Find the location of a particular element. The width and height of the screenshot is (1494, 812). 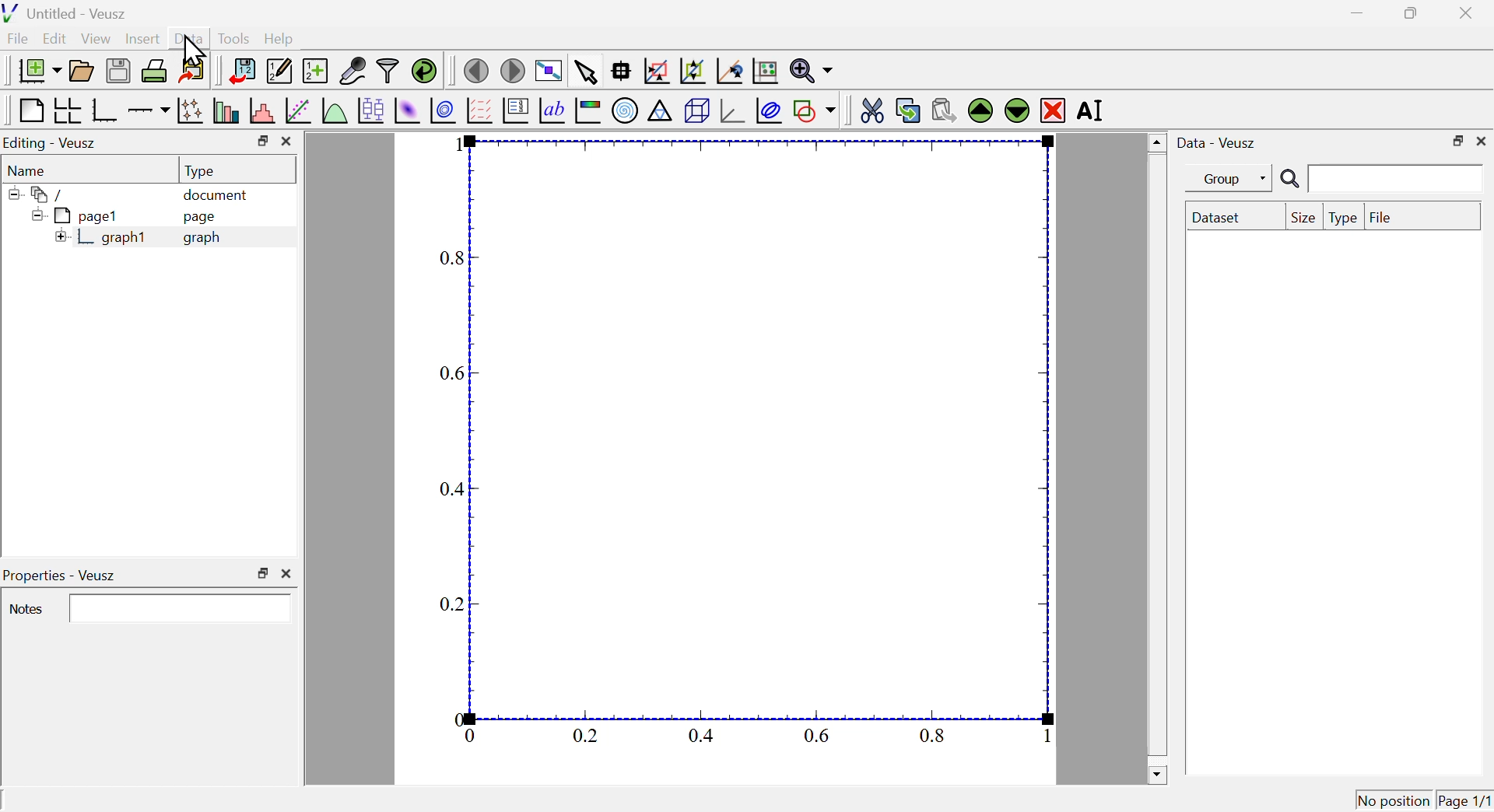

plot bar charts is located at coordinates (226, 112).